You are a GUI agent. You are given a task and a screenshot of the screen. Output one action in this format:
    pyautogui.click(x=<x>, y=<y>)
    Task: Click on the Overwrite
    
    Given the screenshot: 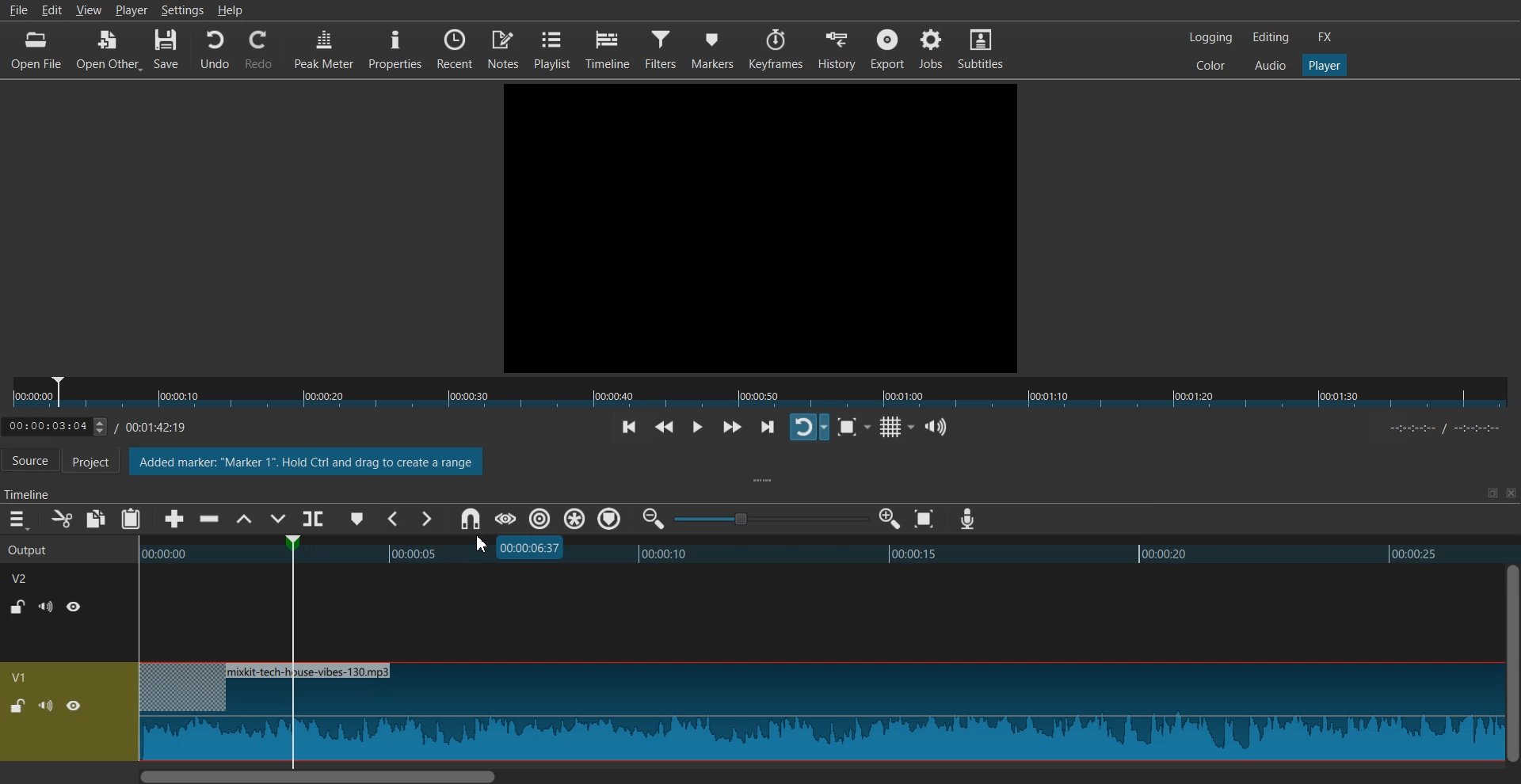 What is the action you would take?
    pyautogui.click(x=276, y=520)
    